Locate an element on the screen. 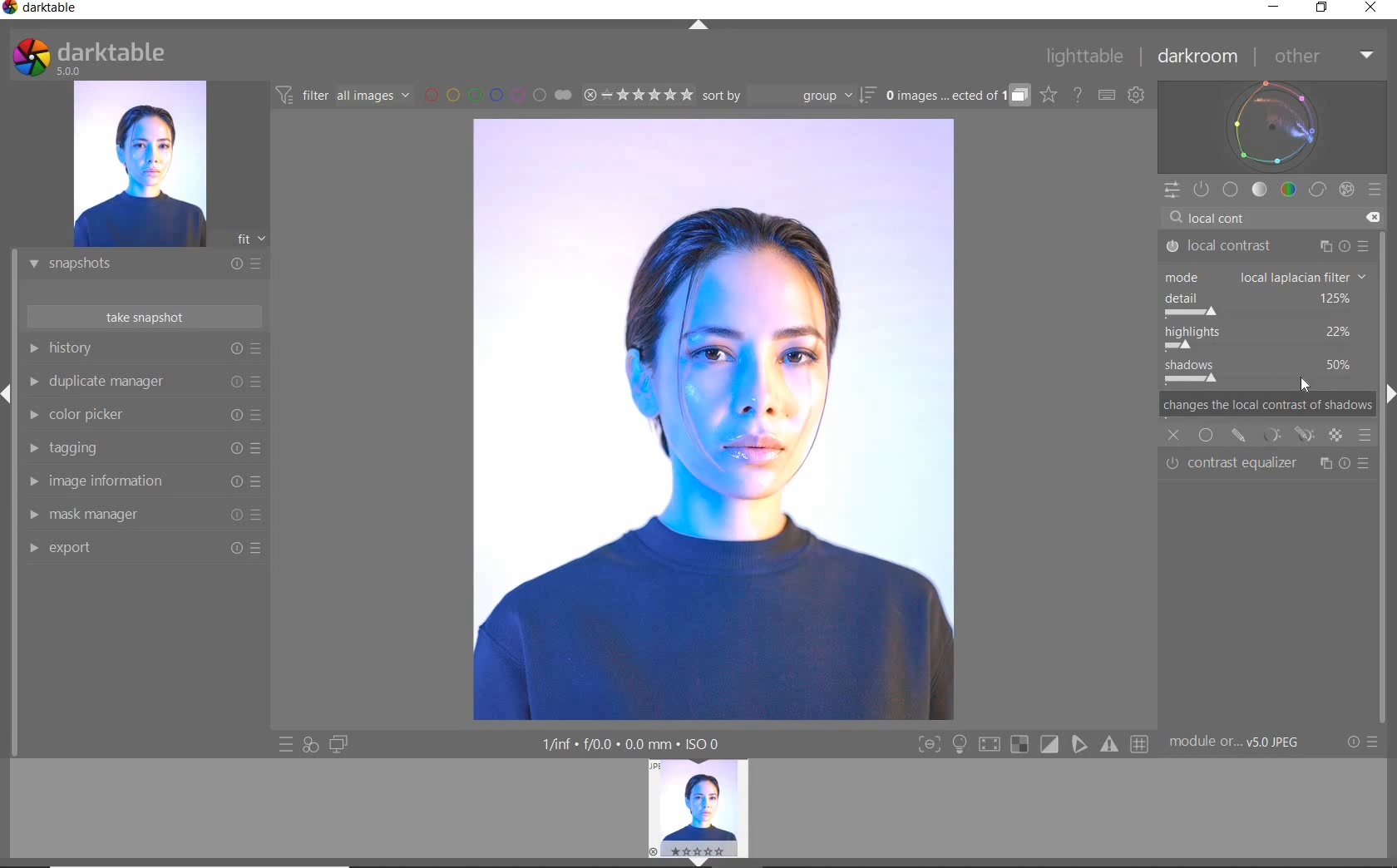  MASK OPTION is located at coordinates (1307, 436).